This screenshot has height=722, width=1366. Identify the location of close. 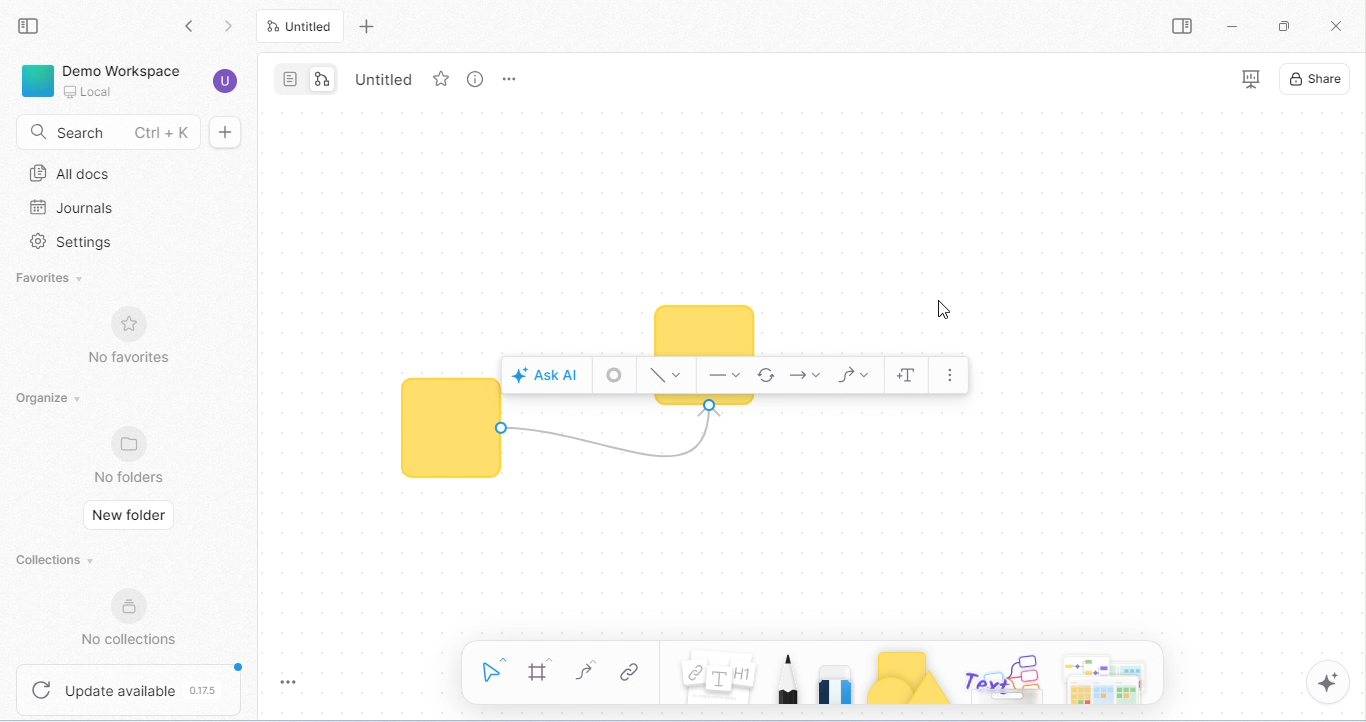
(1339, 26).